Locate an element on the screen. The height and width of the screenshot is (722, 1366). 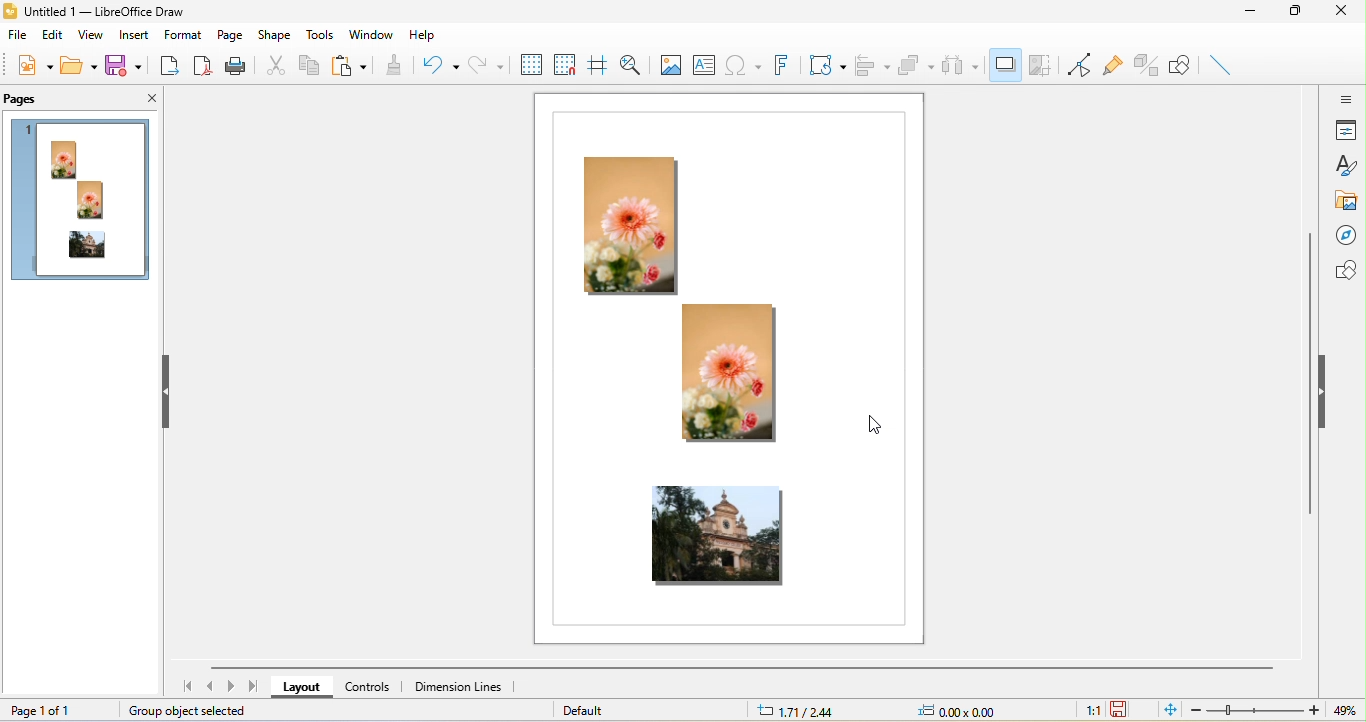
group object selected is located at coordinates (198, 711).